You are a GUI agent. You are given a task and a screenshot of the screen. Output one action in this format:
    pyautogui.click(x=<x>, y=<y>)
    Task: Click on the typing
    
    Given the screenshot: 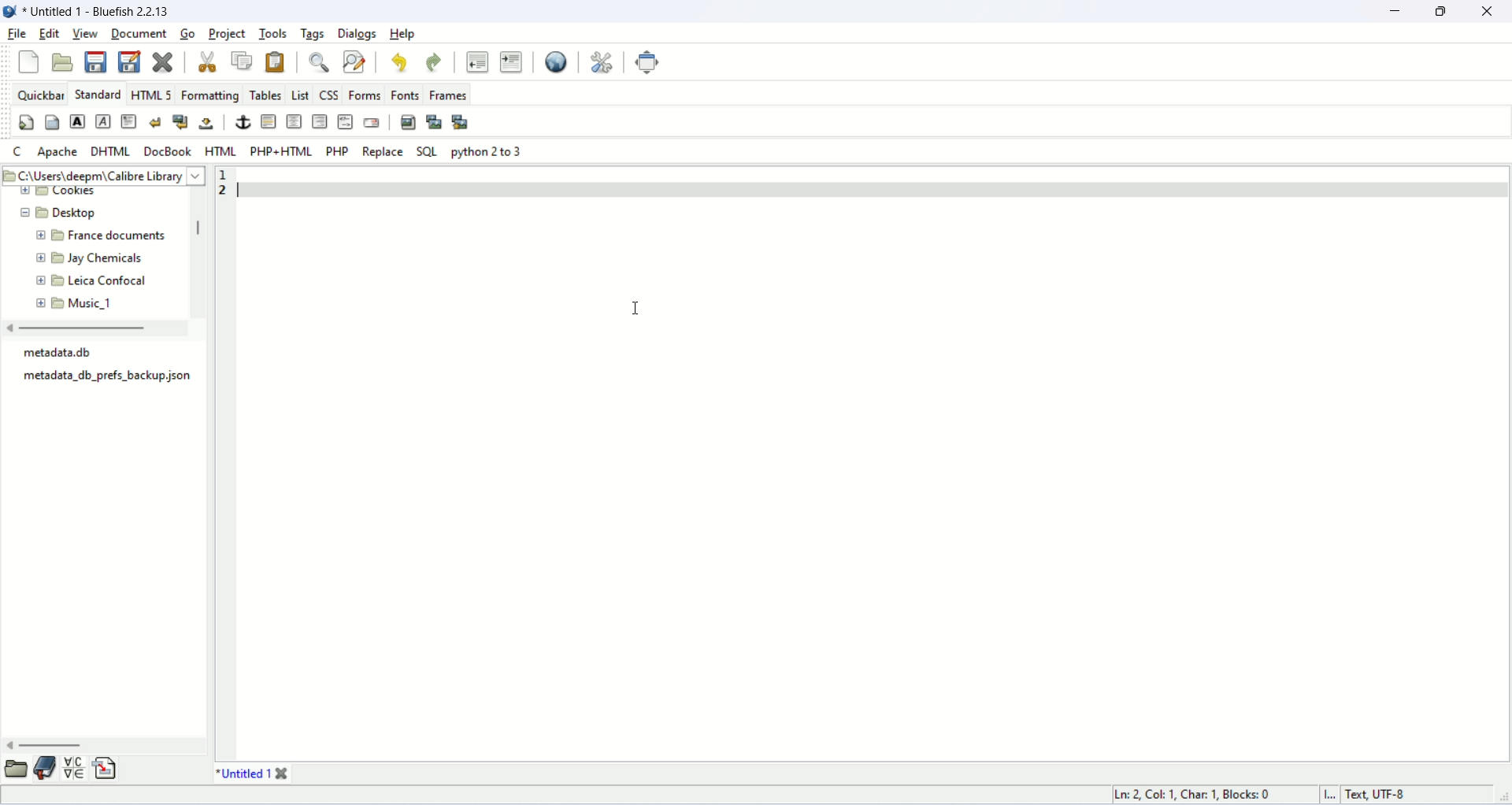 What is the action you would take?
    pyautogui.click(x=265, y=194)
    